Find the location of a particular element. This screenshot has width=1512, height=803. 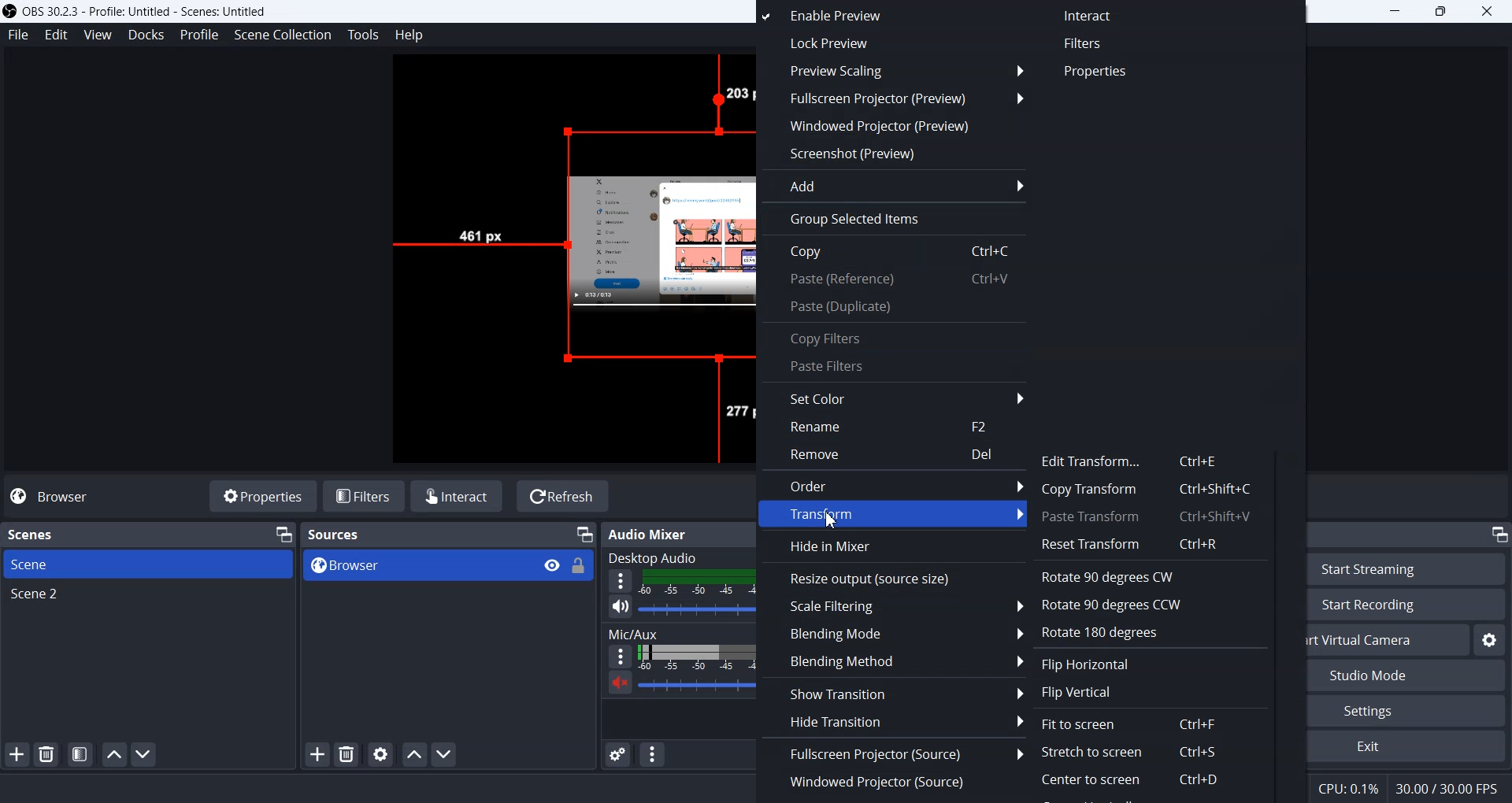

CPU: 0.1% is located at coordinates (1349, 786).